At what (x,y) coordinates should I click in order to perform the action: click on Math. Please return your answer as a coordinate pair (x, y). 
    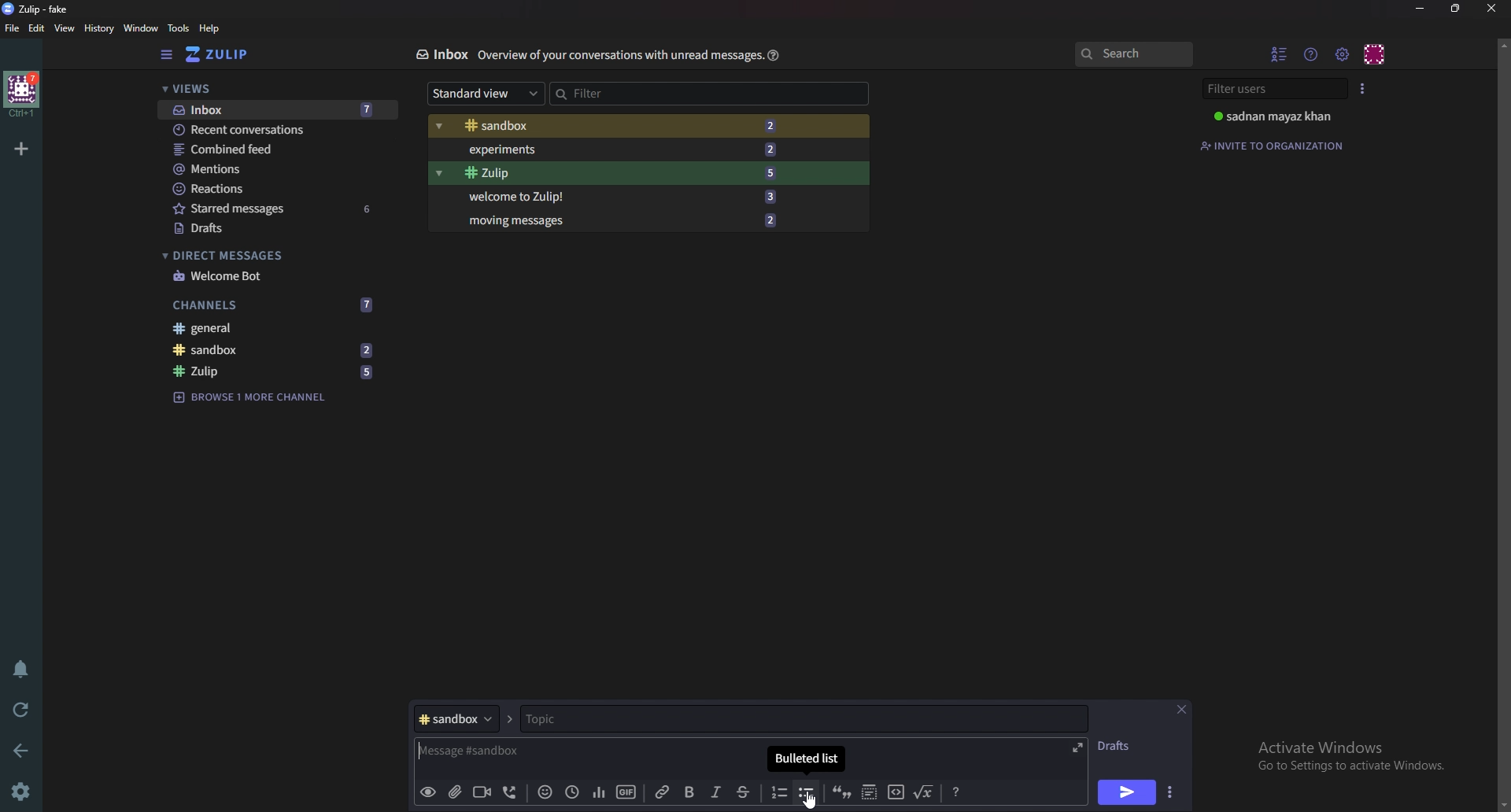
    Looking at the image, I should click on (925, 790).